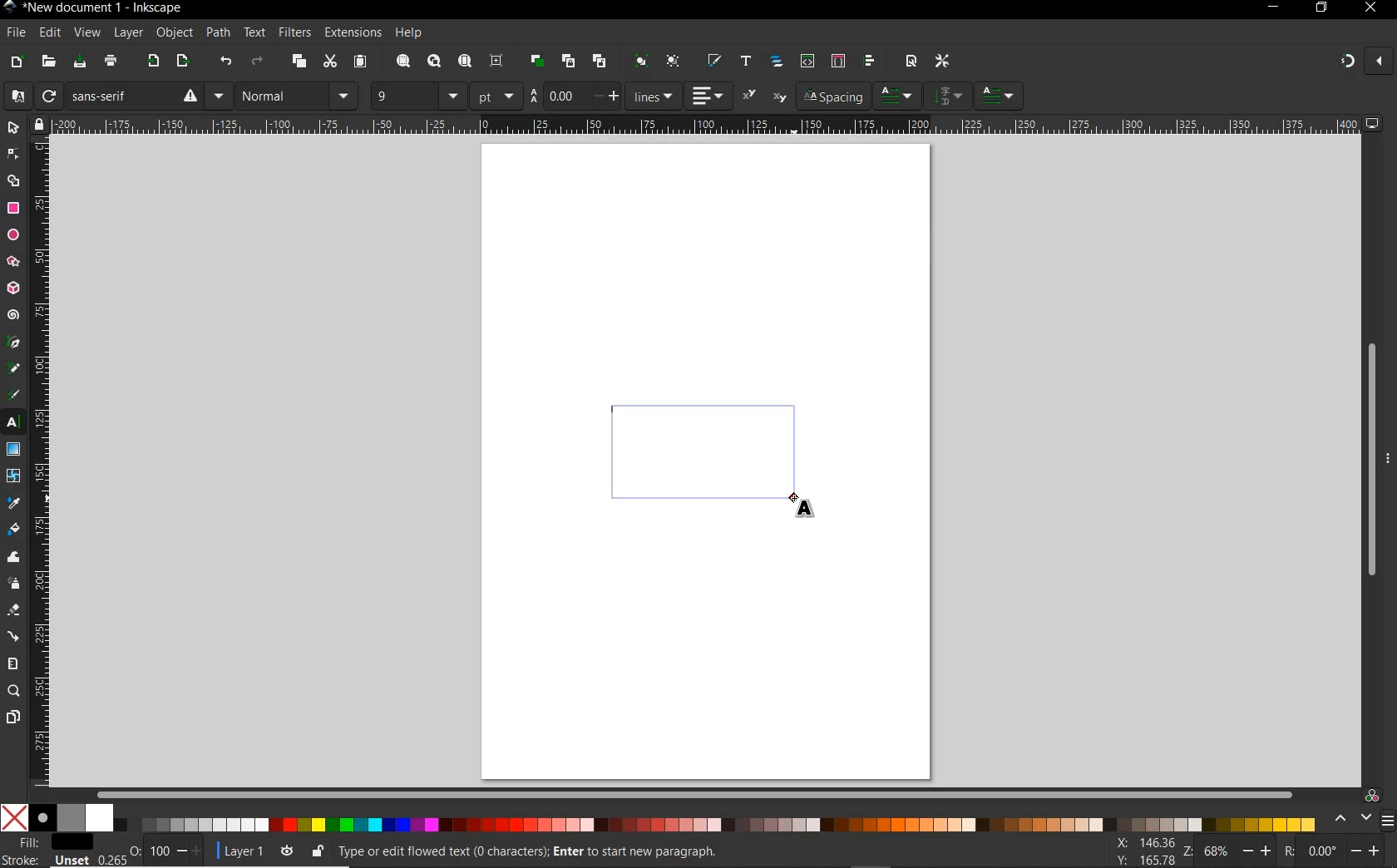 The image size is (1397, 868). What do you see at coordinates (287, 850) in the screenshot?
I see `toggle currnt layer` at bounding box center [287, 850].